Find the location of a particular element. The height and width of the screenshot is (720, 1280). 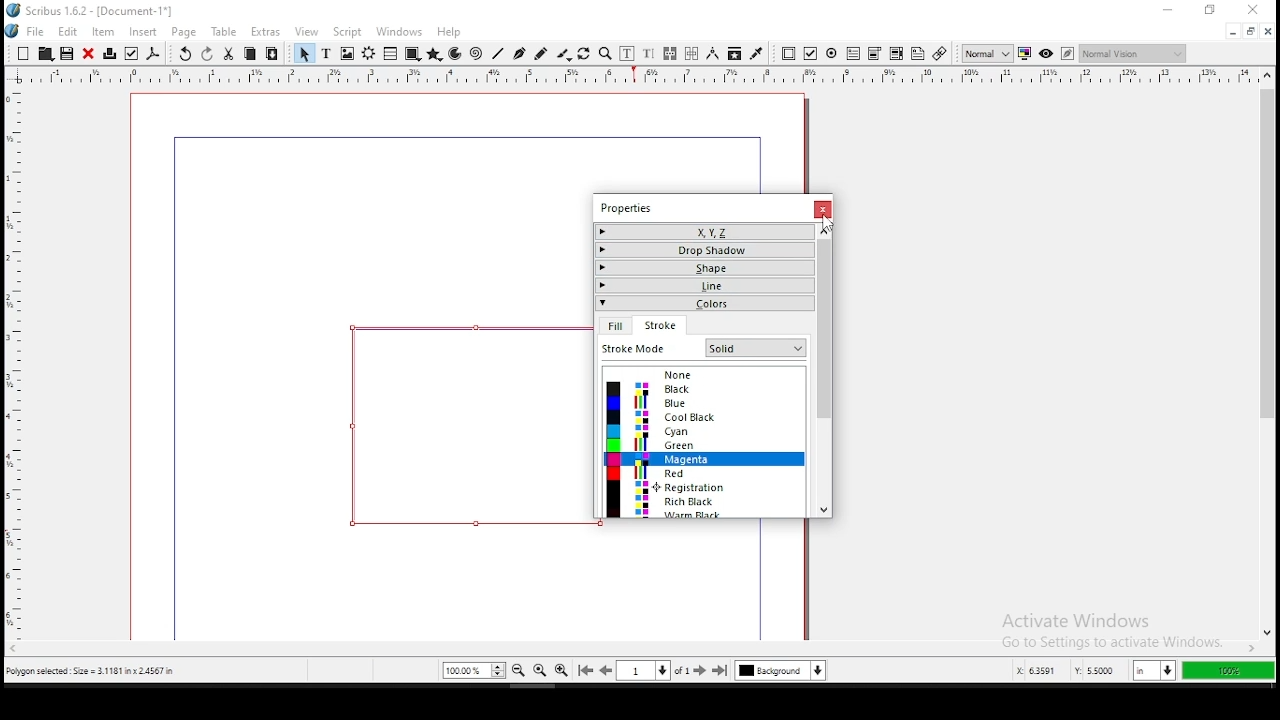

pdf combo box is located at coordinates (896, 54).